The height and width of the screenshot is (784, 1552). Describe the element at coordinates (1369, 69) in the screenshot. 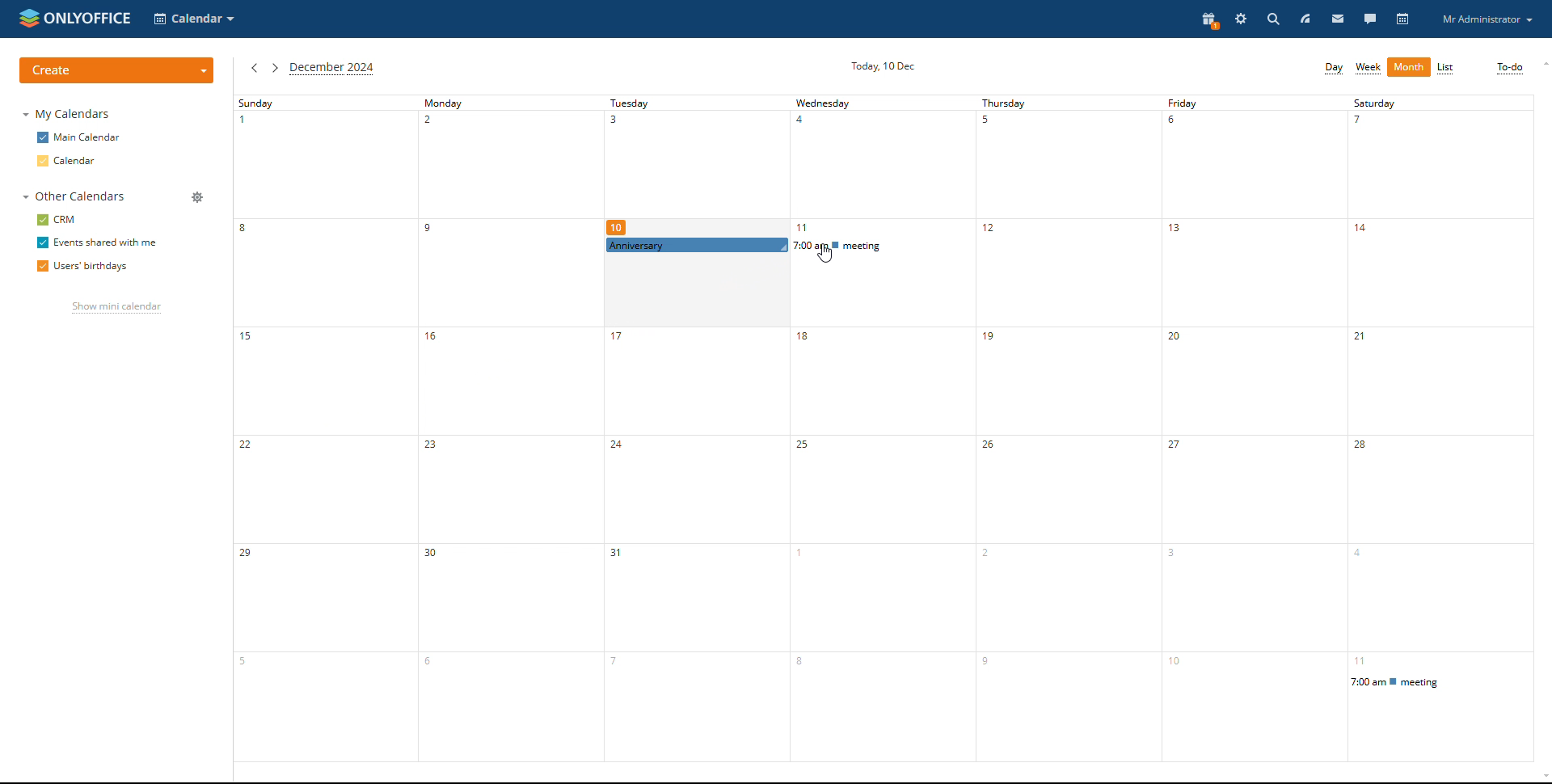

I see `week view` at that location.